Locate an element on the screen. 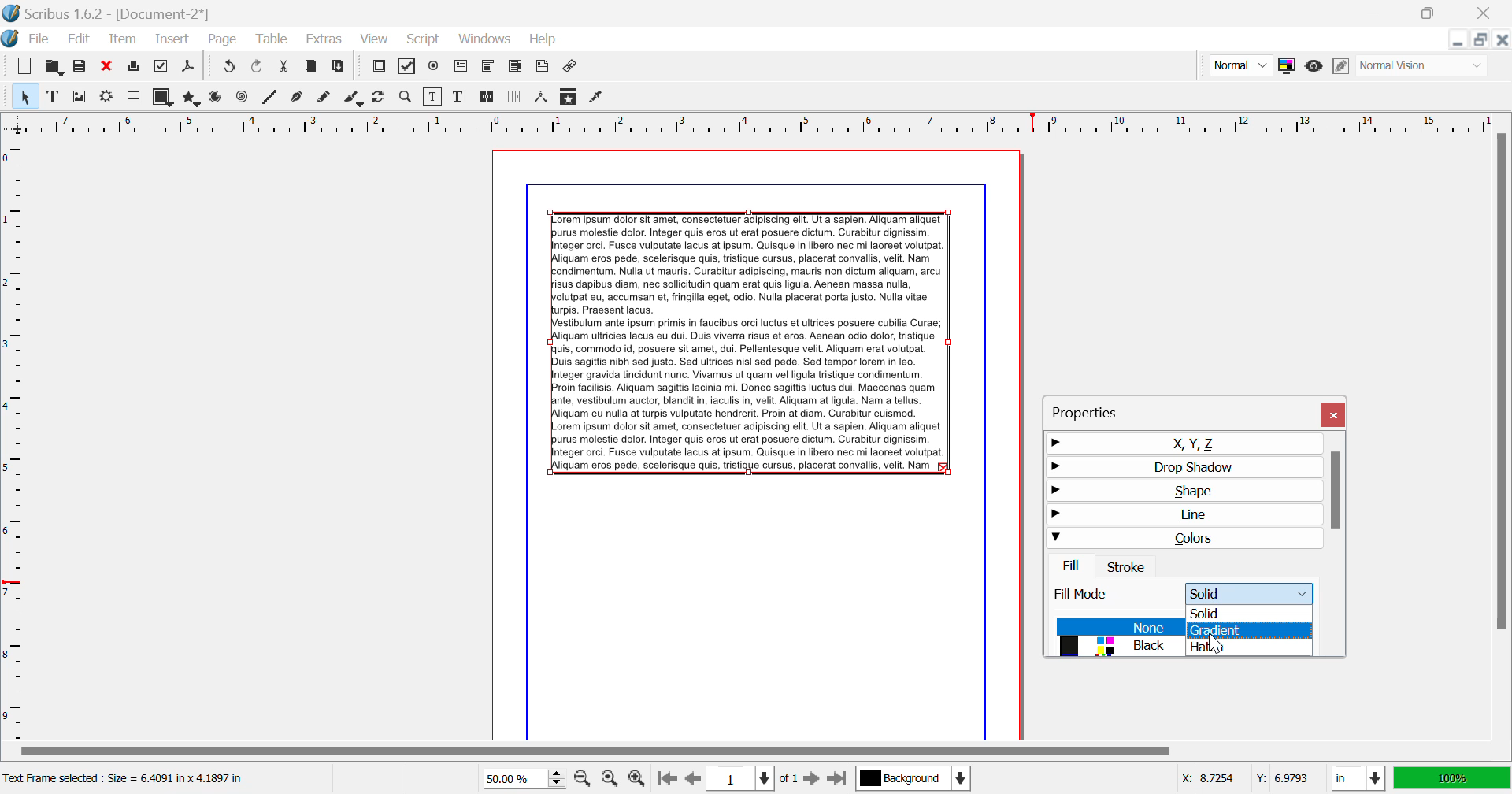  Properties is located at coordinates (1102, 410).